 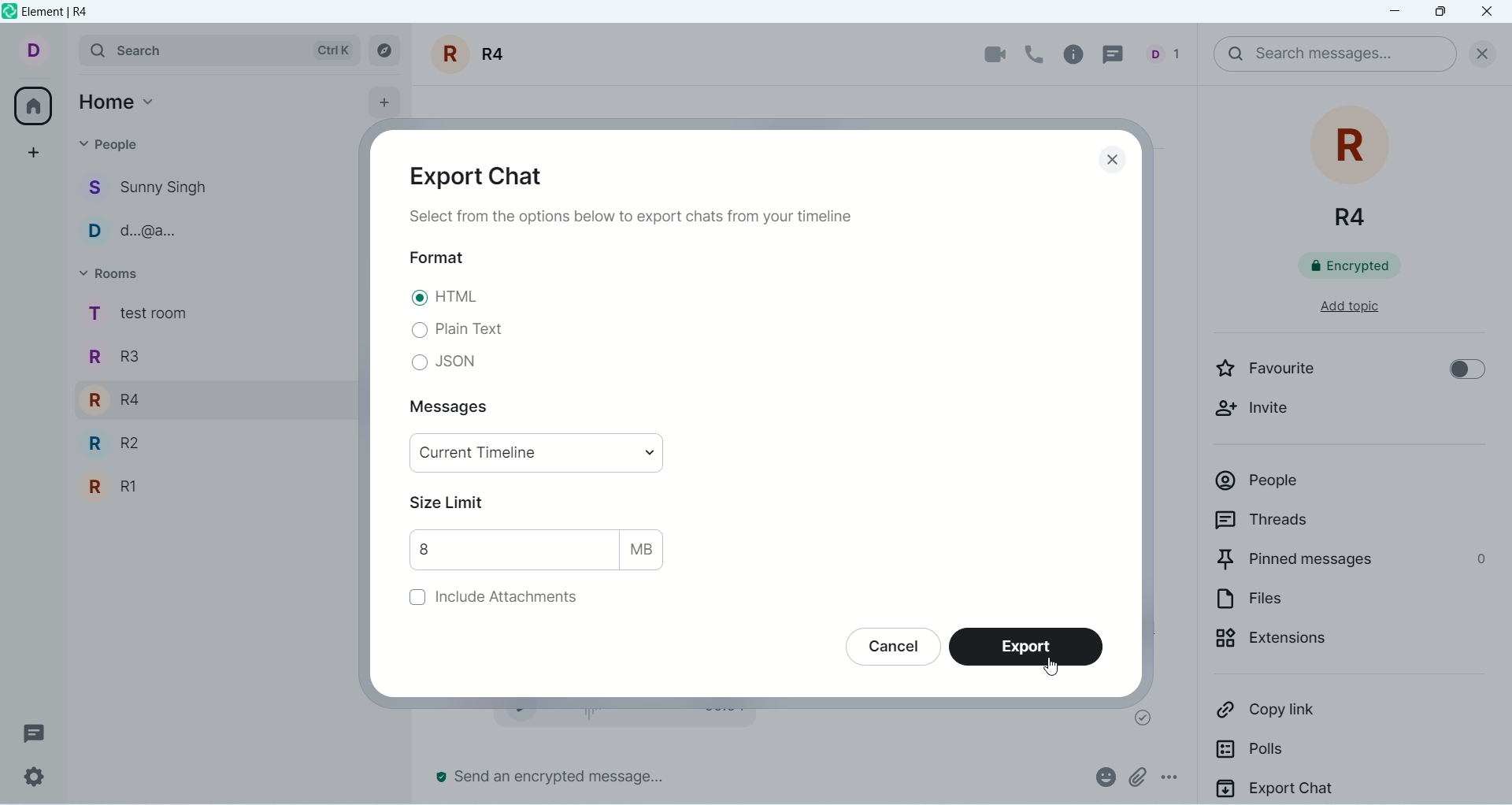 What do you see at coordinates (37, 152) in the screenshot?
I see `create a space` at bounding box center [37, 152].